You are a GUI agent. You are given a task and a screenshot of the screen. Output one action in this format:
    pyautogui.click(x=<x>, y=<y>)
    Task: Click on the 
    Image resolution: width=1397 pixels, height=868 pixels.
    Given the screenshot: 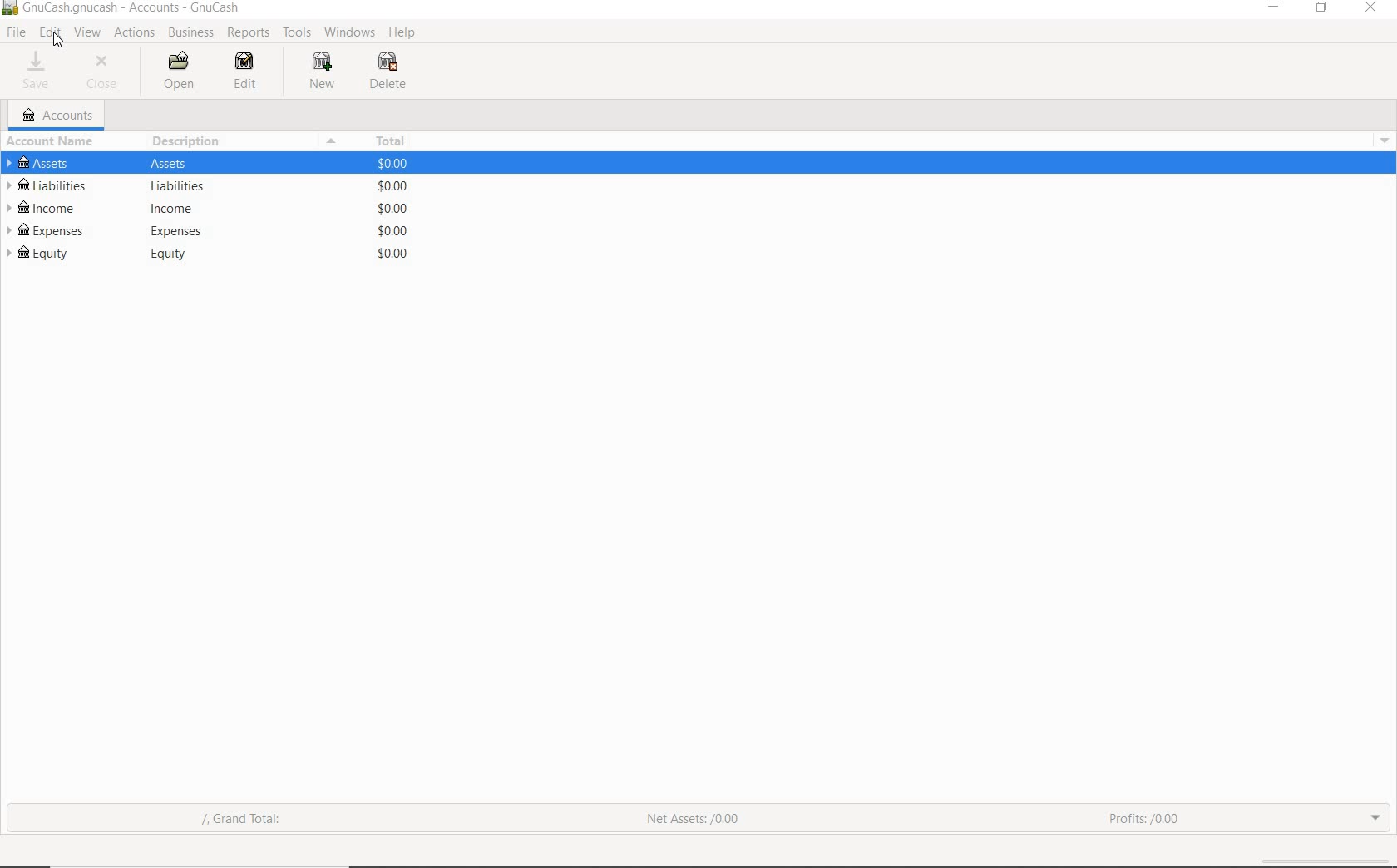 What is the action you would take?
    pyautogui.click(x=399, y=208)
    